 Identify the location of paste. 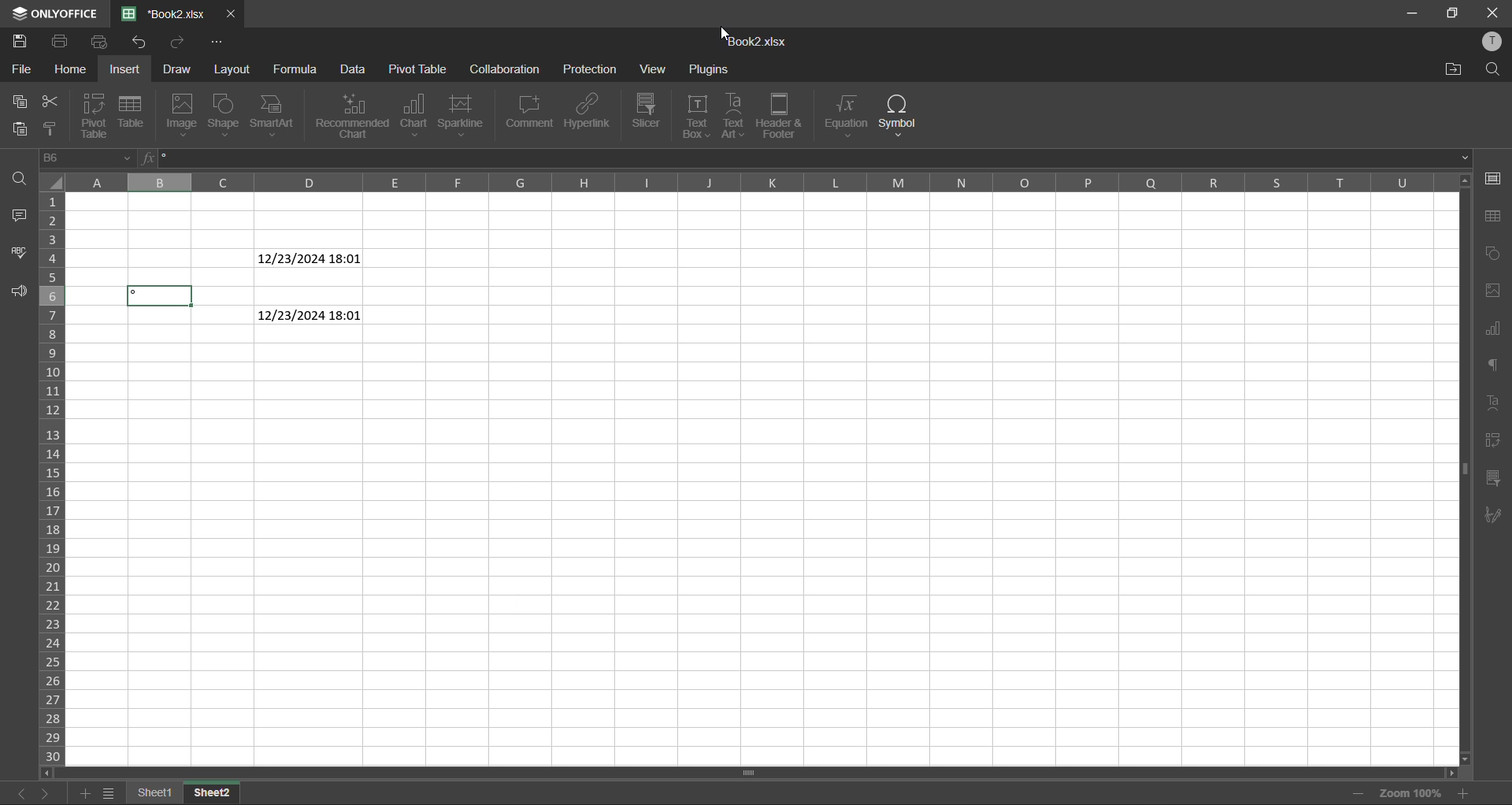
(22, 129).